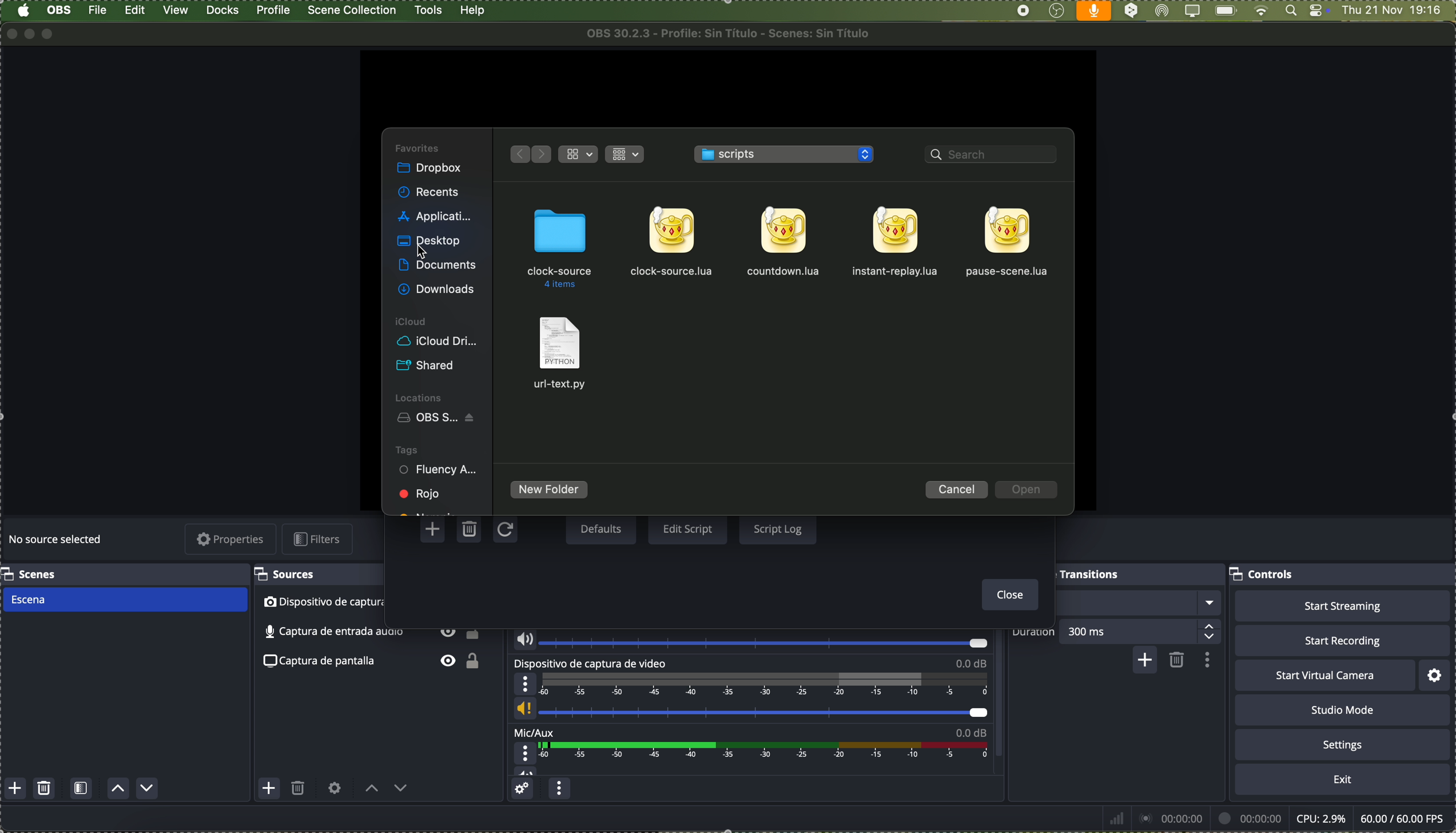 The image size is (1456, 833). What do you see at coordinates (1034, 633) in the screenshot?
I see `duration` at bounding box center [1034, 633].